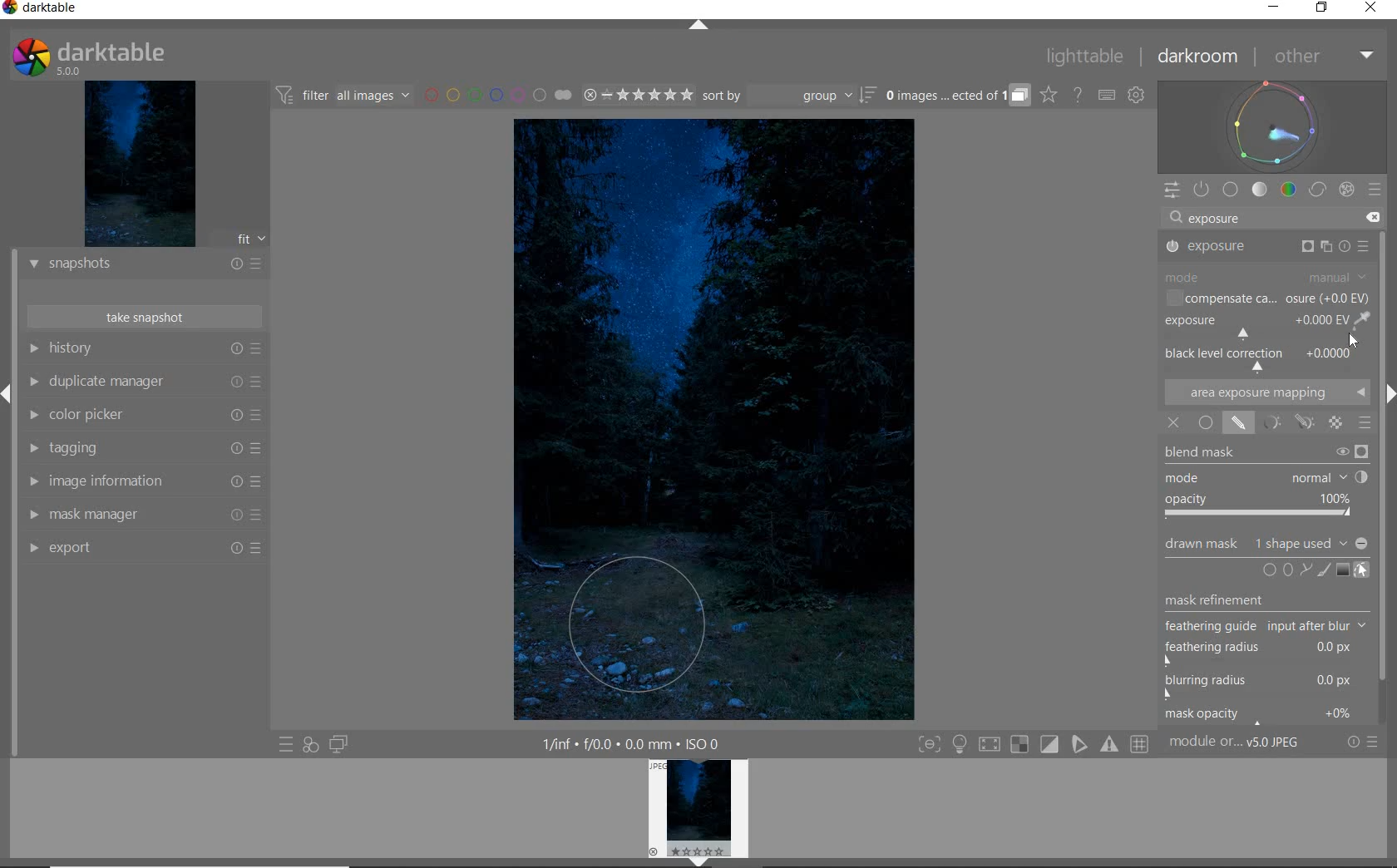  What do you see at coordinates (1078, 96) in the screenshot?
I see `HELP ONLINE` at bounding box center [1078, 96].